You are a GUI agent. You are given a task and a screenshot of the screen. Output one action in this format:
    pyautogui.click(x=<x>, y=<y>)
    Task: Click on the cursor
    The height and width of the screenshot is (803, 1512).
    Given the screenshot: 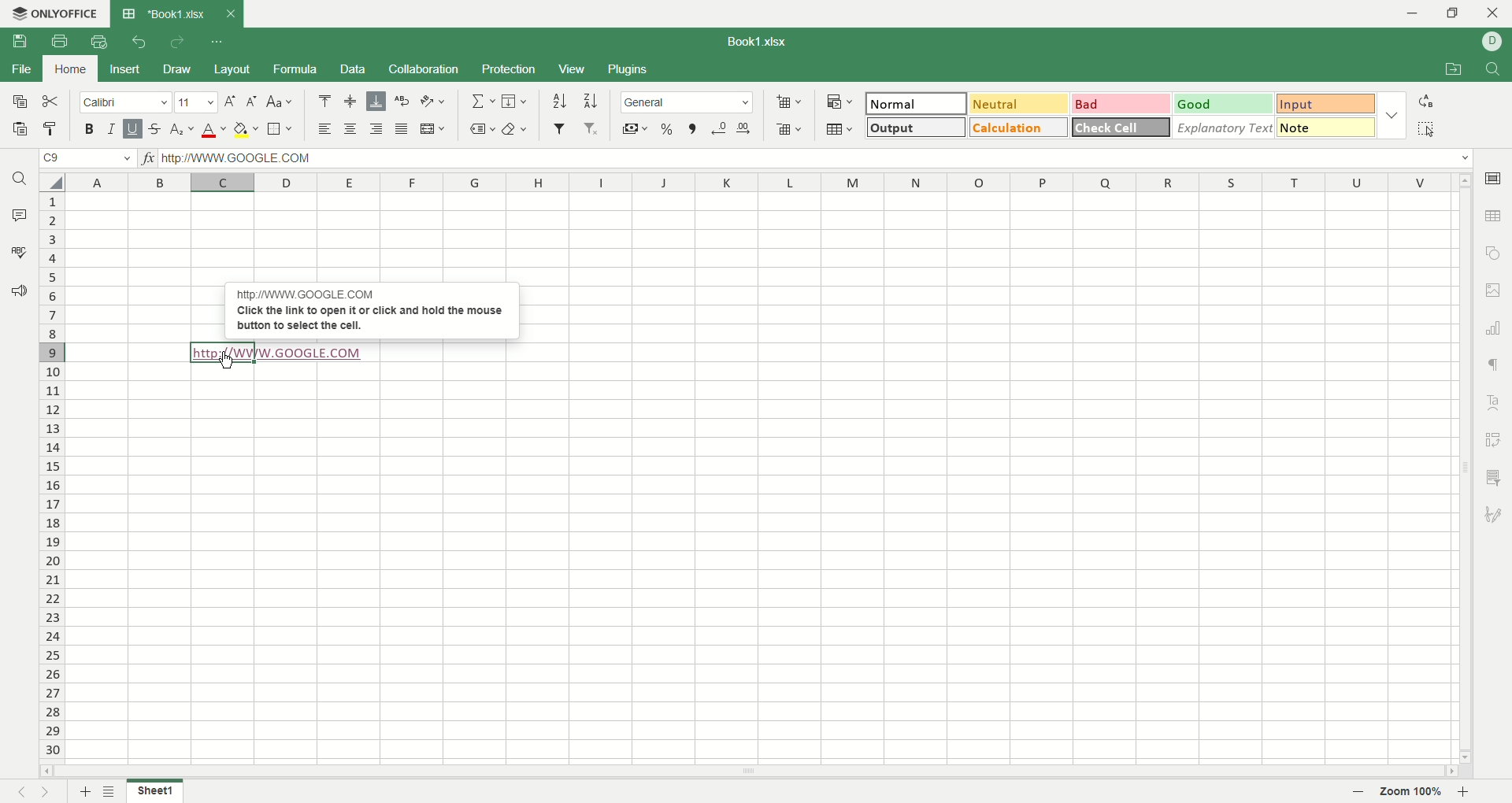 What is the action you would take?
    pyautogui.click(x=228, y=363)
    